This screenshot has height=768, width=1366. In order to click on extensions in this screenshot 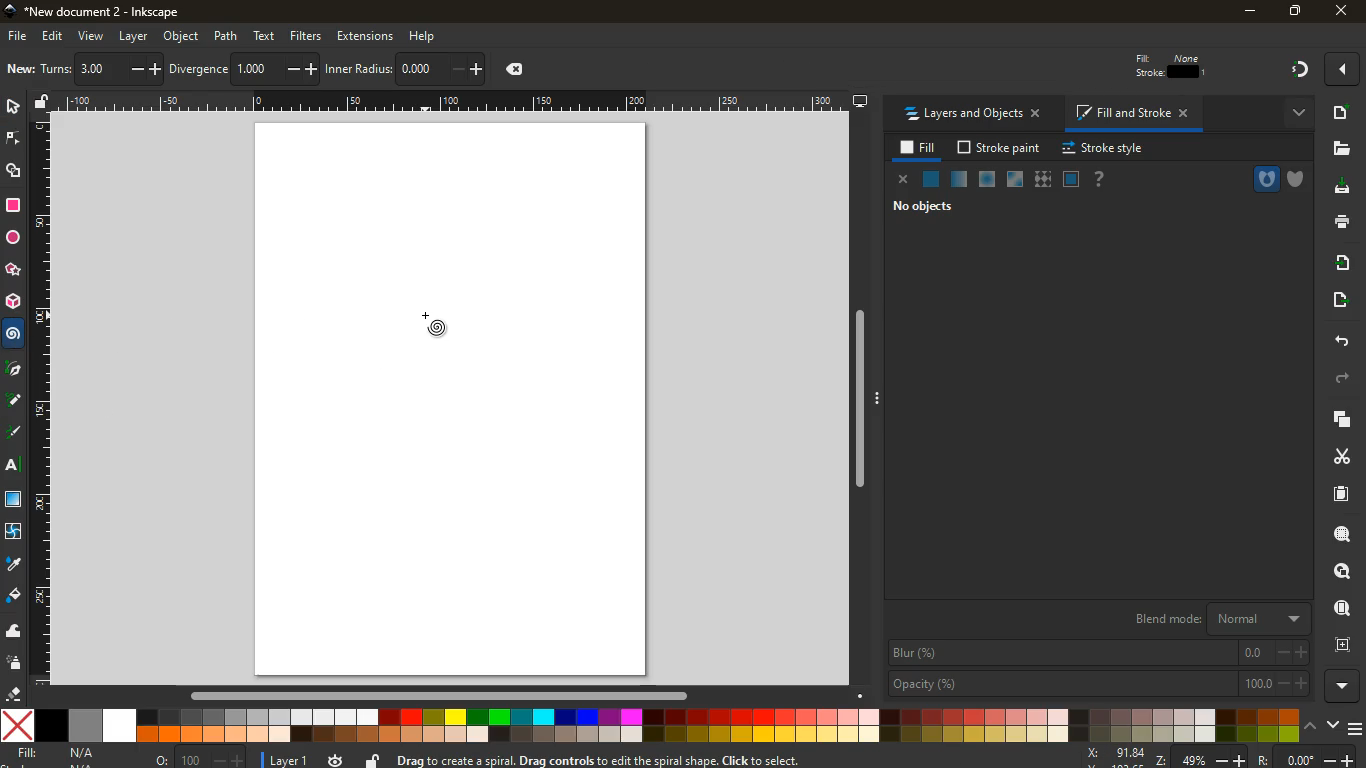, I will do `click(366, 36)`.